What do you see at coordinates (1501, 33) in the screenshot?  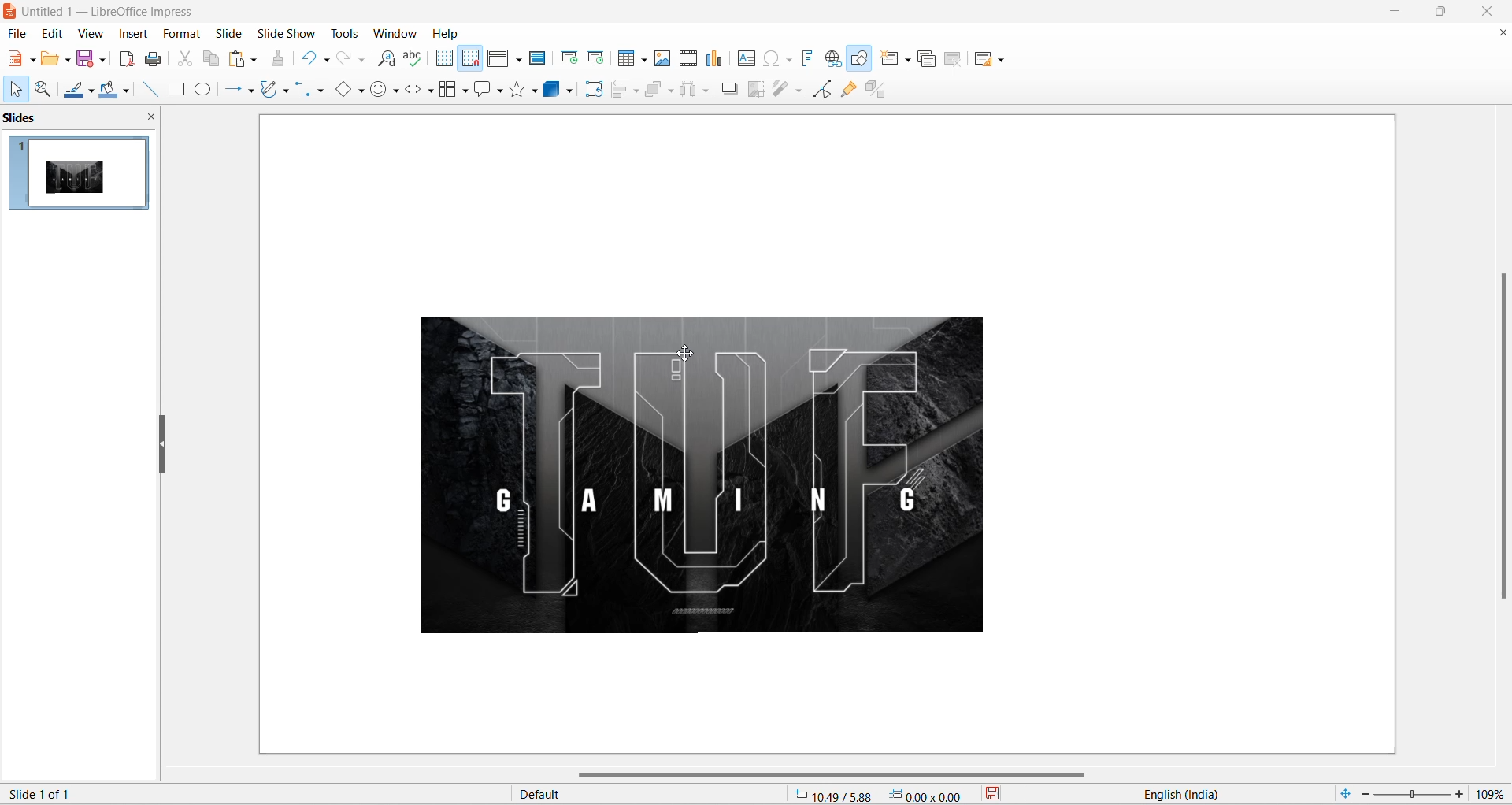 I see `close document` at bounding box center [1501, 33].